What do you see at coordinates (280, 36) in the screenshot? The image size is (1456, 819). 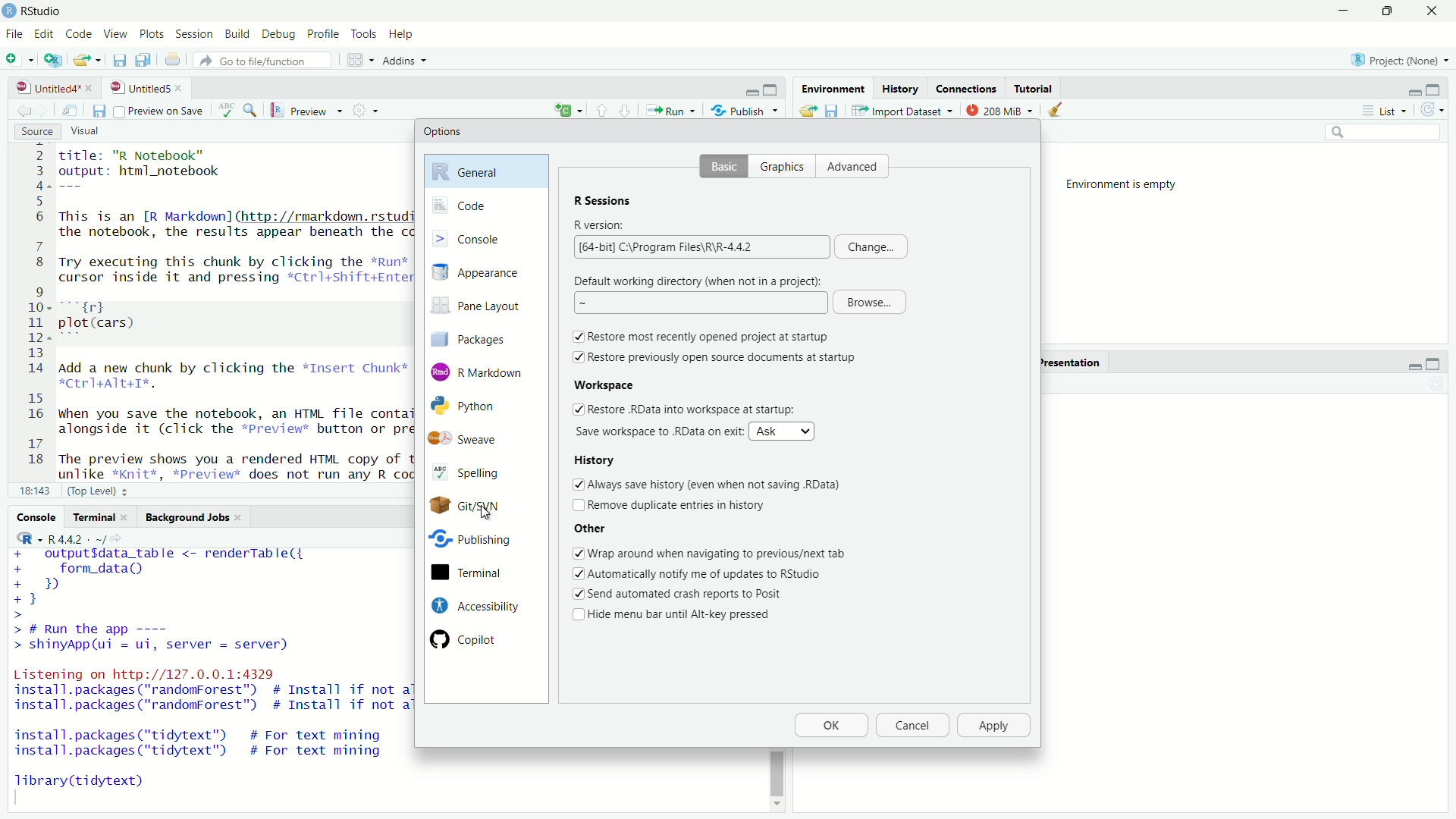 I see `Debug` at bounding box center [280, 36].